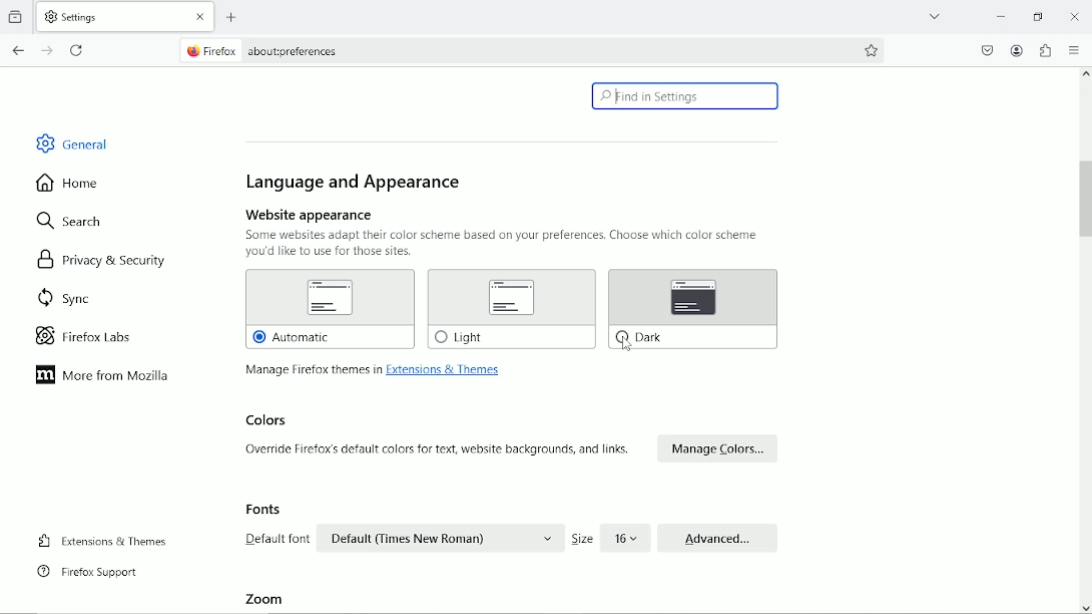  What do you see at coordinates (623, 344) in the screenshot?
I see `cursor` at bounding box center [623, 344].